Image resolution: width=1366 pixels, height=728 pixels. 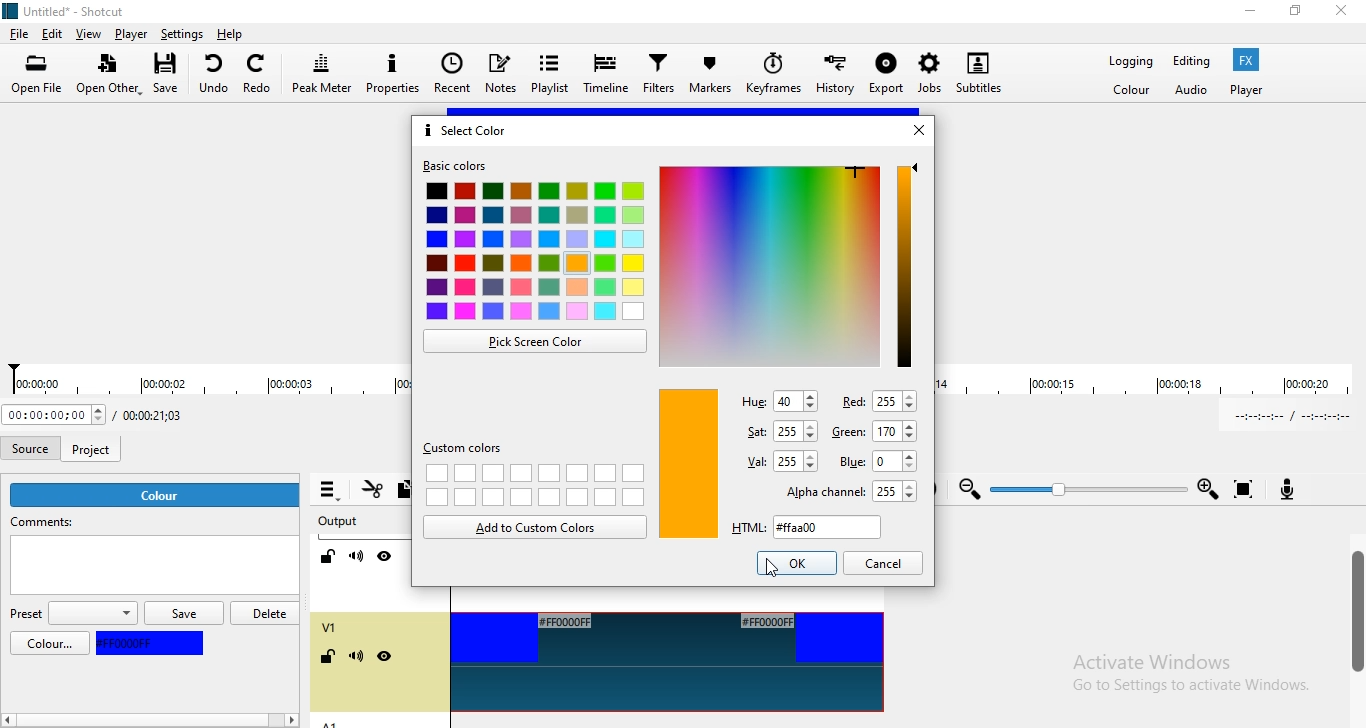 What do you see at coordinates (536, 342) in the screenshot?
I see `pick screen color` at bounding box center [536, 342].